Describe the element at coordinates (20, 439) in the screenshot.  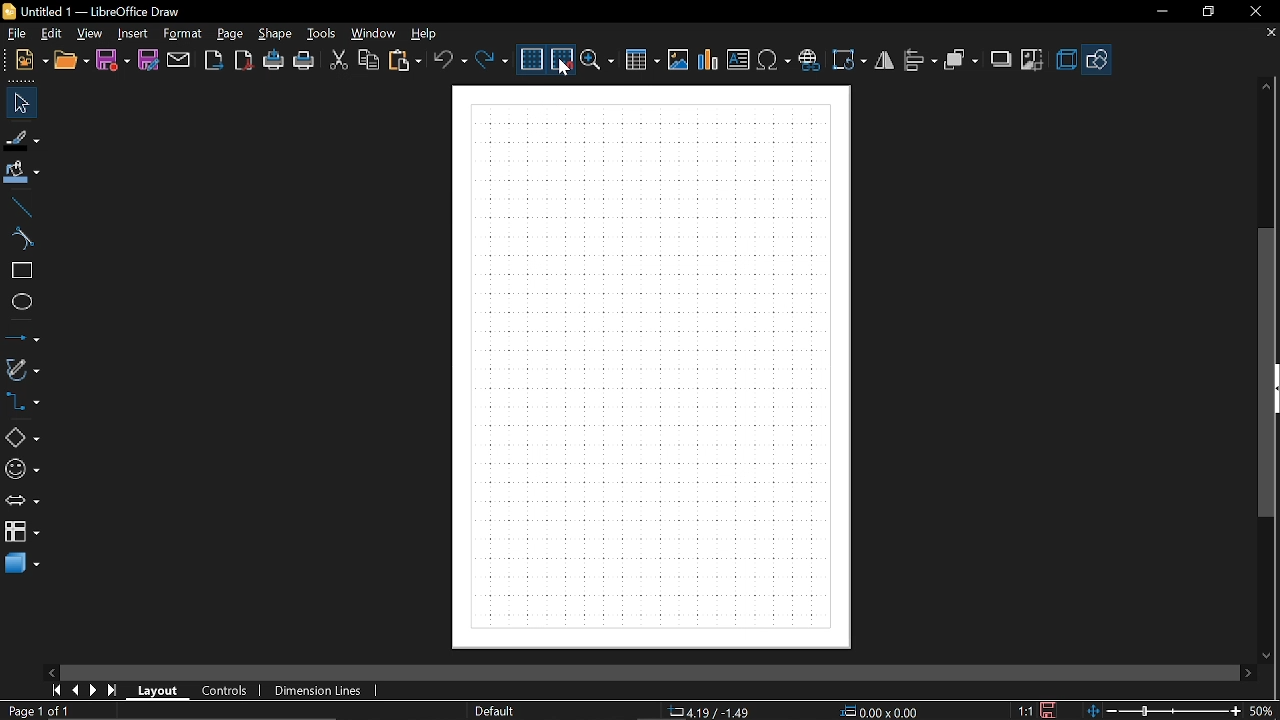
I see `shapes` at that location.